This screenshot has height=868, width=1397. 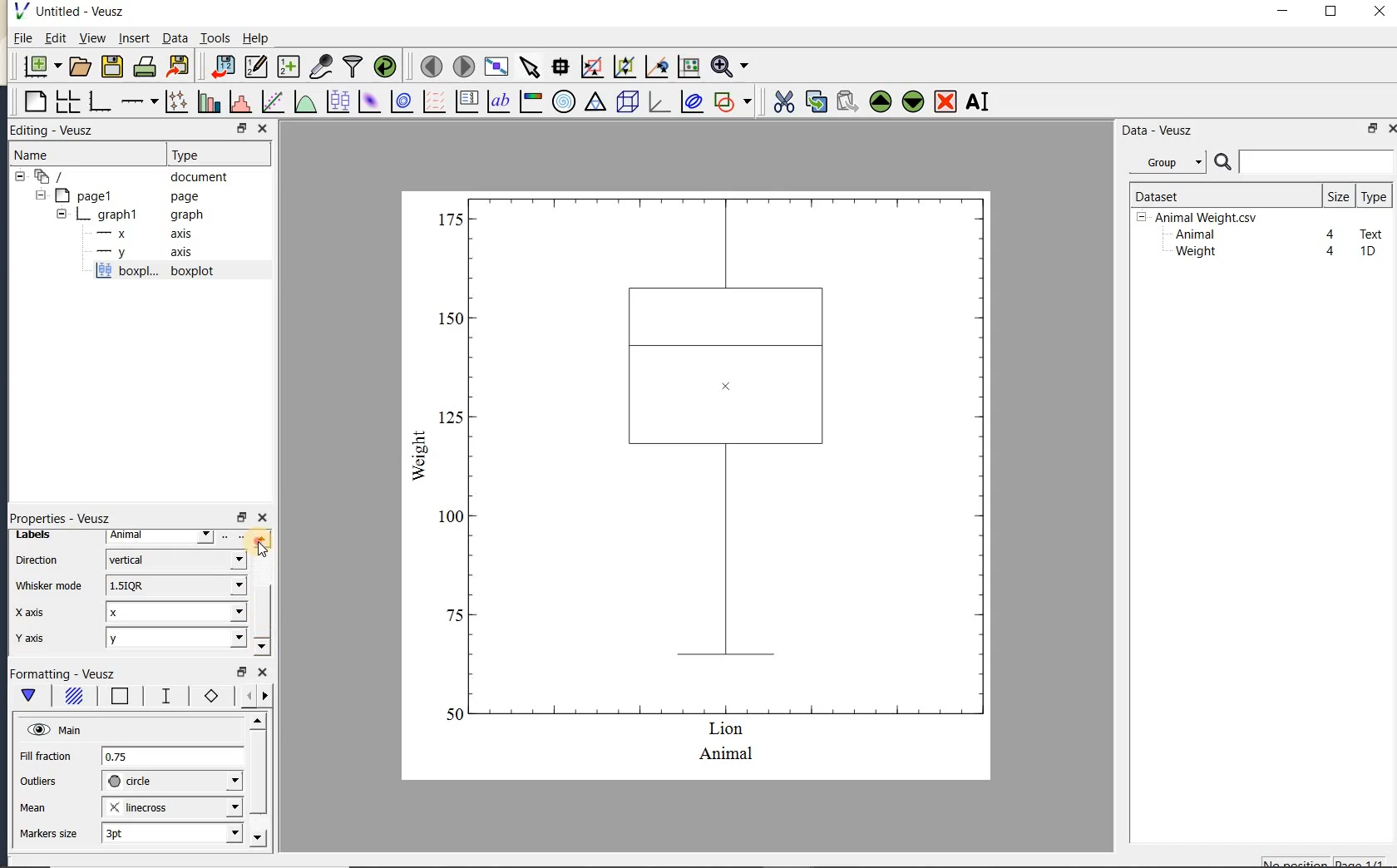 I want to click on ternary graph, so click(x=595, y=104).